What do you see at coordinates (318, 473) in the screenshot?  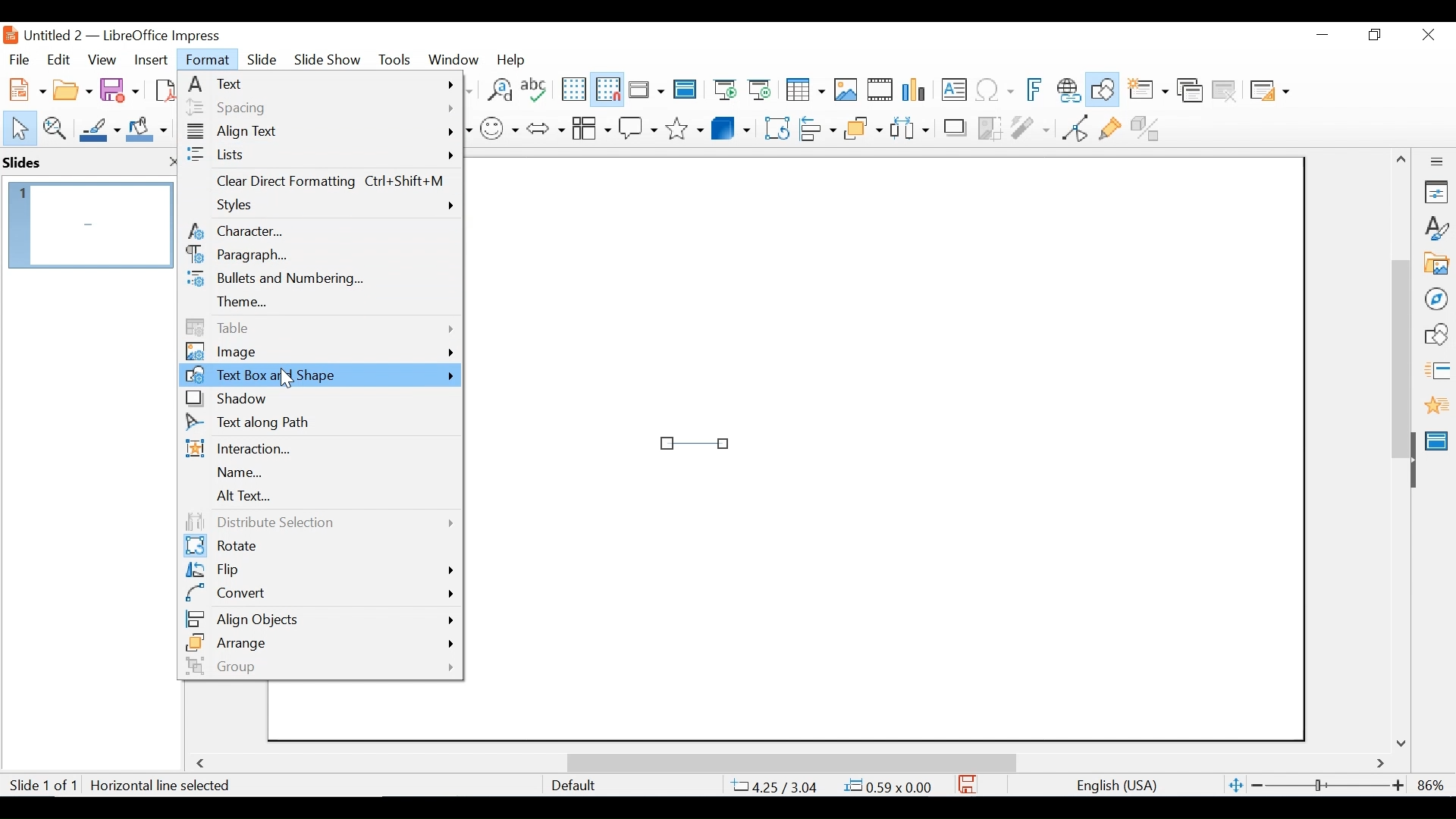 I see `Name` at bounding box center [318, 473].